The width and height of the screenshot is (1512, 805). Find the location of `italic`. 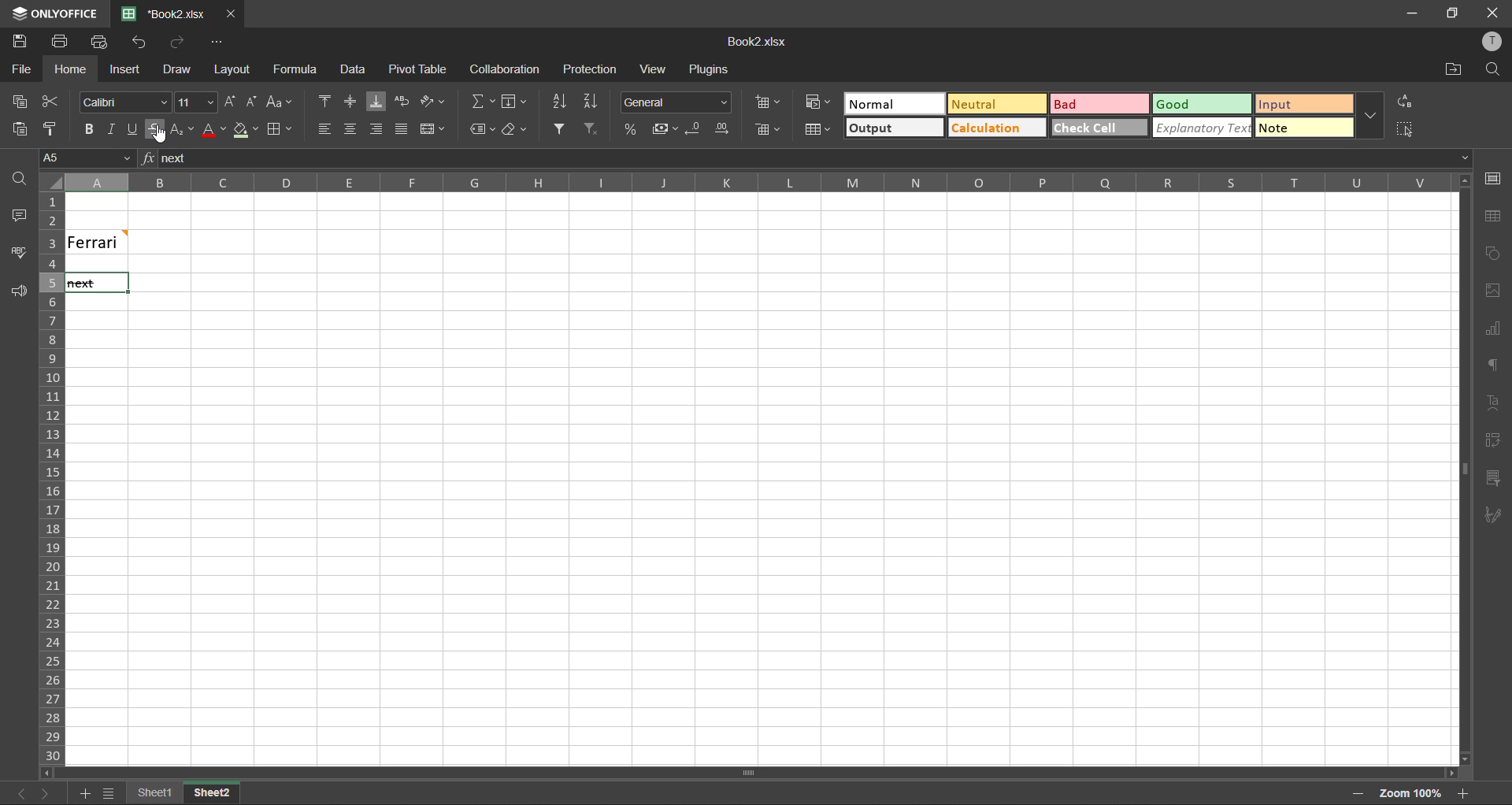

italic is located at coordinates (113, 129).